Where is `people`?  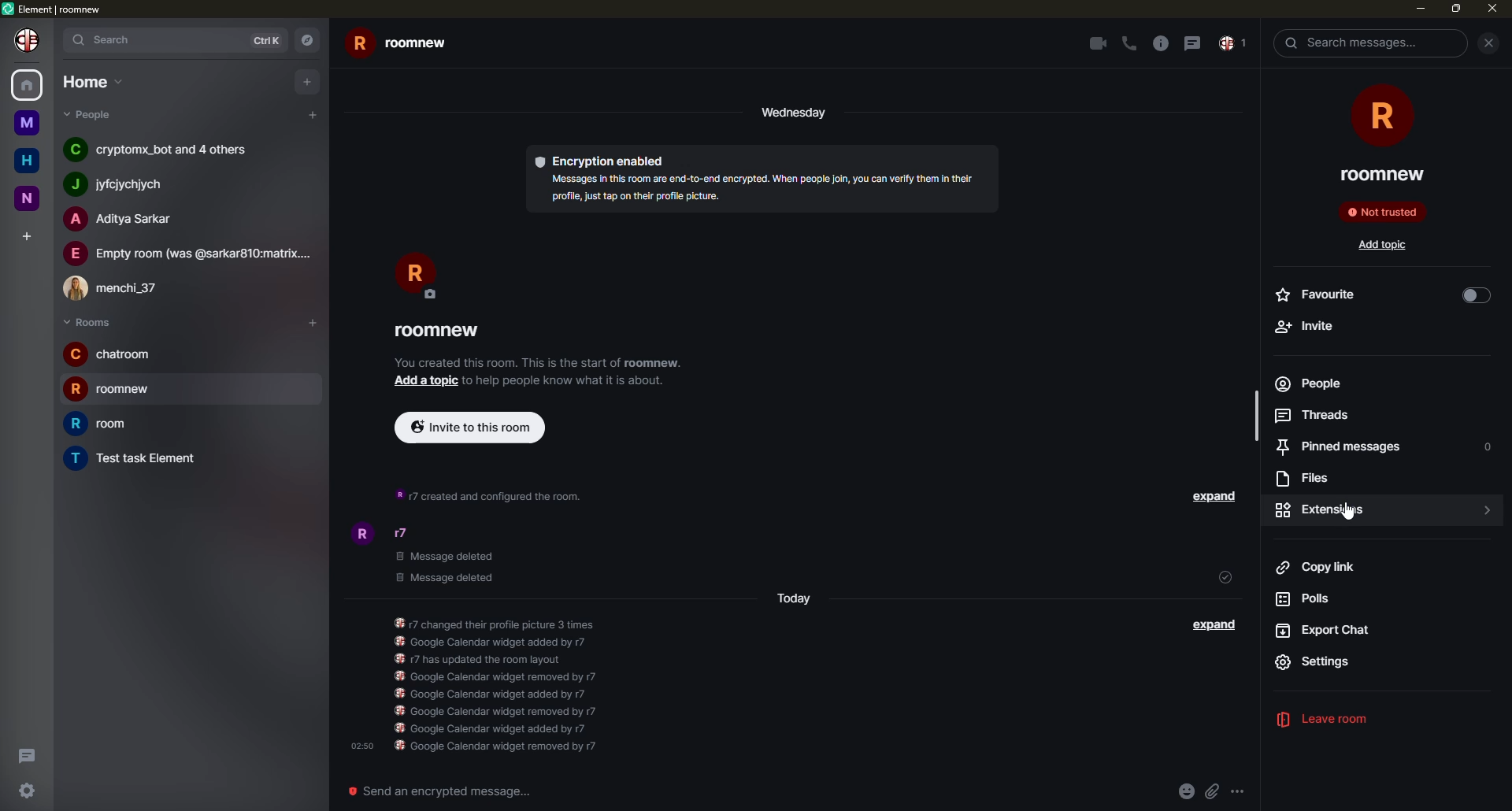
people is located at coordinates (189, 254).